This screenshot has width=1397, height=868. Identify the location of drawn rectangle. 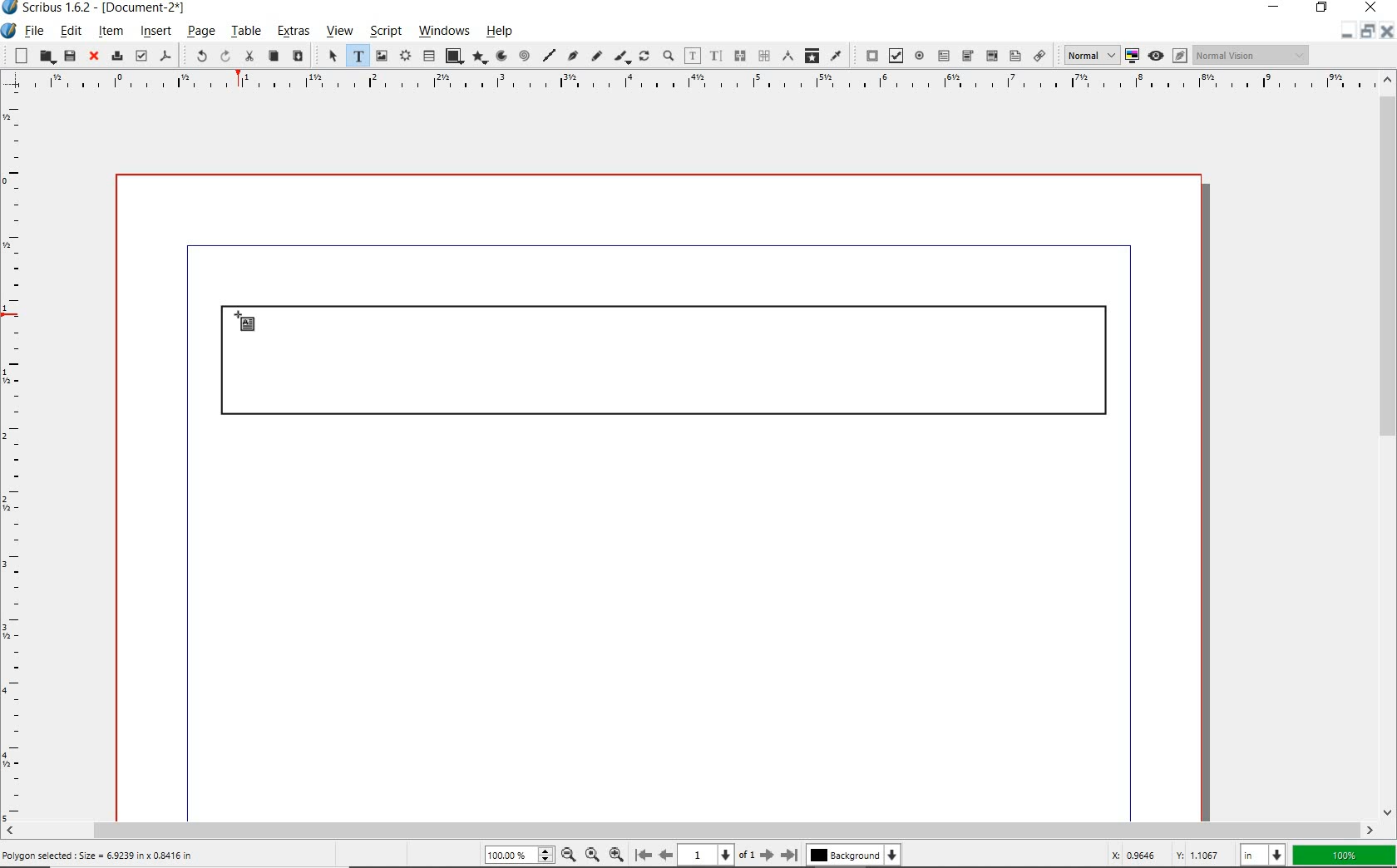
(670, 367).